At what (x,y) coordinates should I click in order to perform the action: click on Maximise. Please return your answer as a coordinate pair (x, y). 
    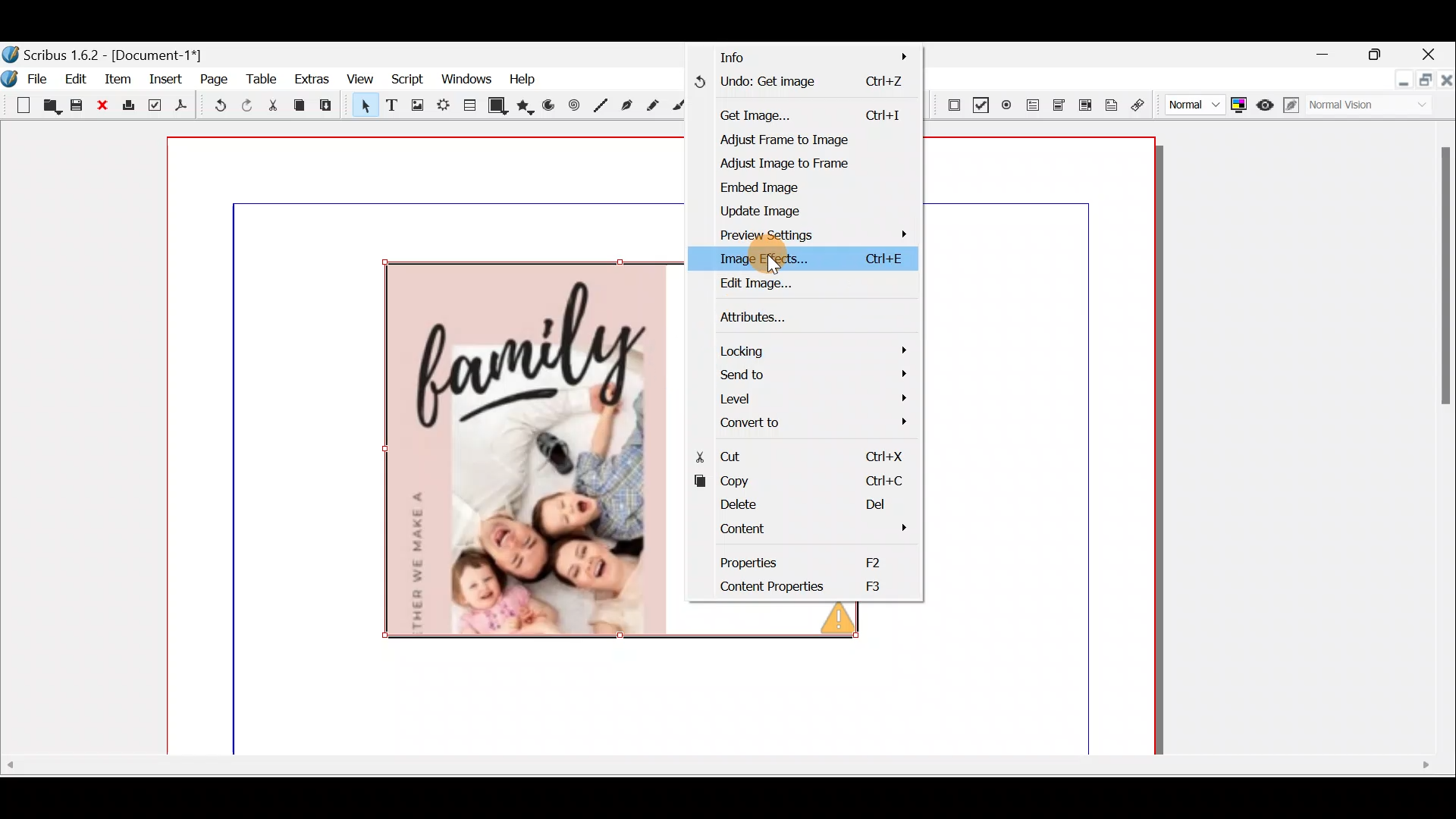
    Looking at the image, I should click on (1427, 83).